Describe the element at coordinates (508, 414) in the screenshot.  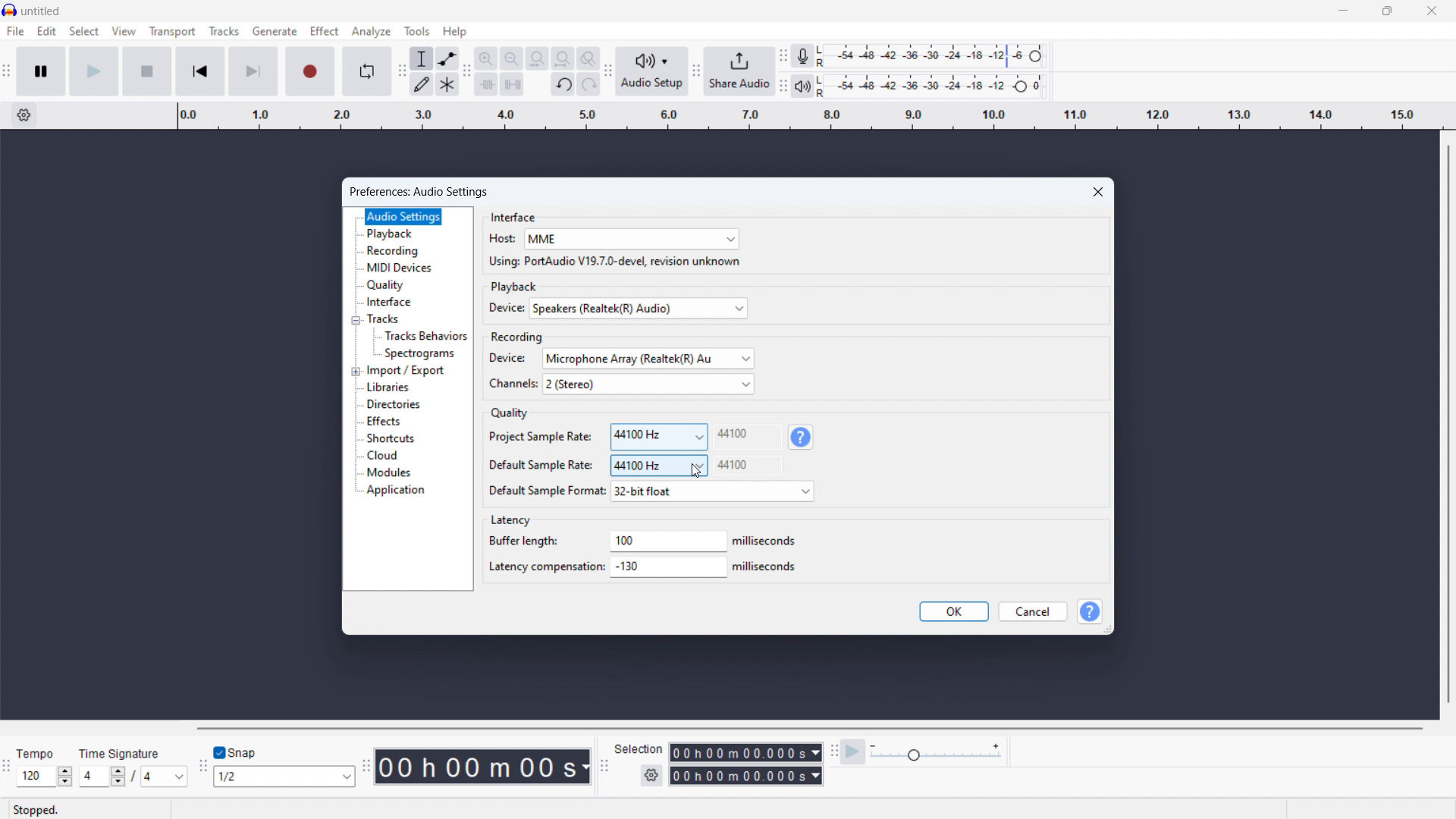
I see `quality` at that location.